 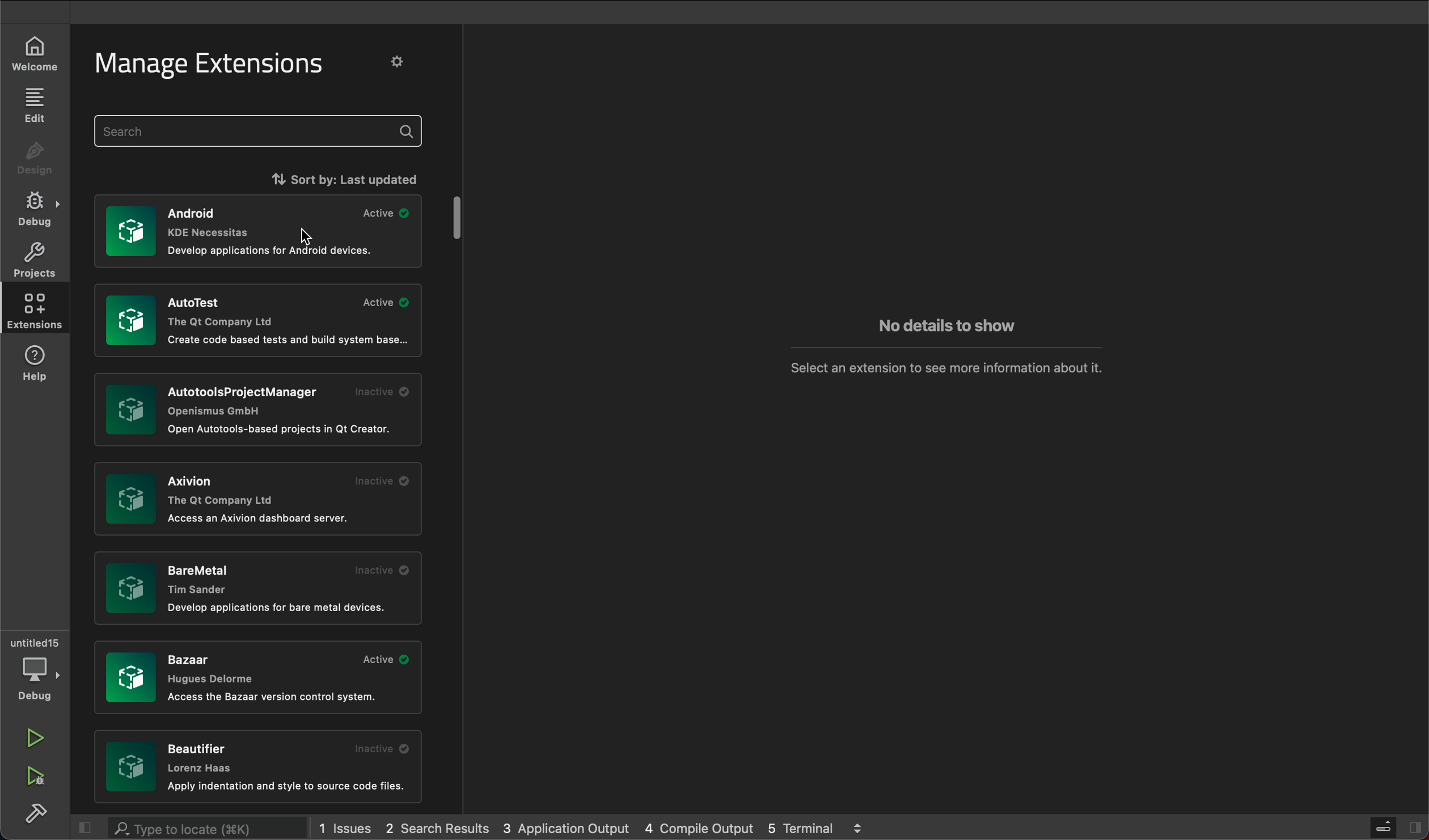 I want to click on run, so click(x=36, y=739).